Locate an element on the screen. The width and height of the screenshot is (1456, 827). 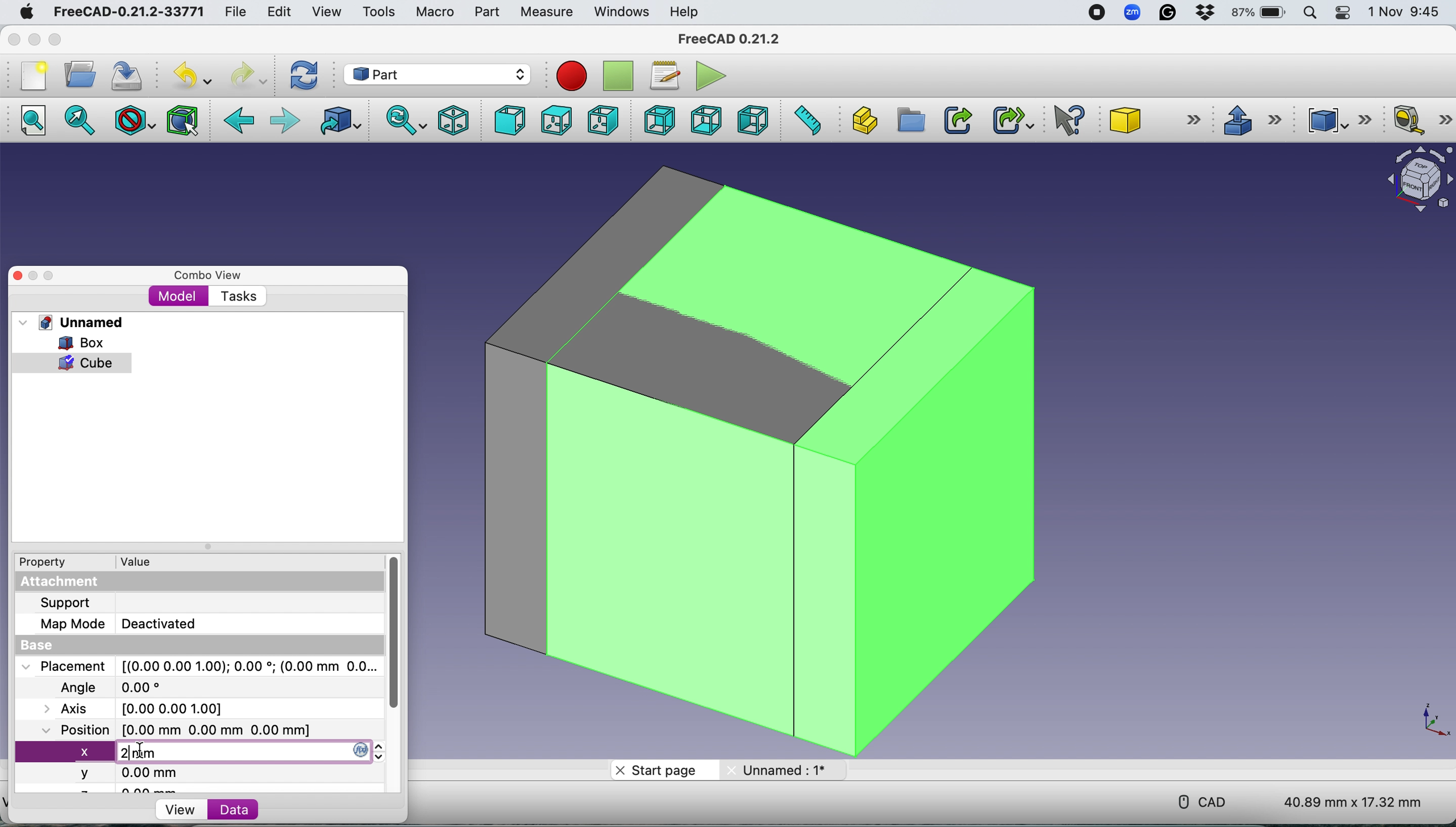
Minimise is located at coordinates (34, 276).